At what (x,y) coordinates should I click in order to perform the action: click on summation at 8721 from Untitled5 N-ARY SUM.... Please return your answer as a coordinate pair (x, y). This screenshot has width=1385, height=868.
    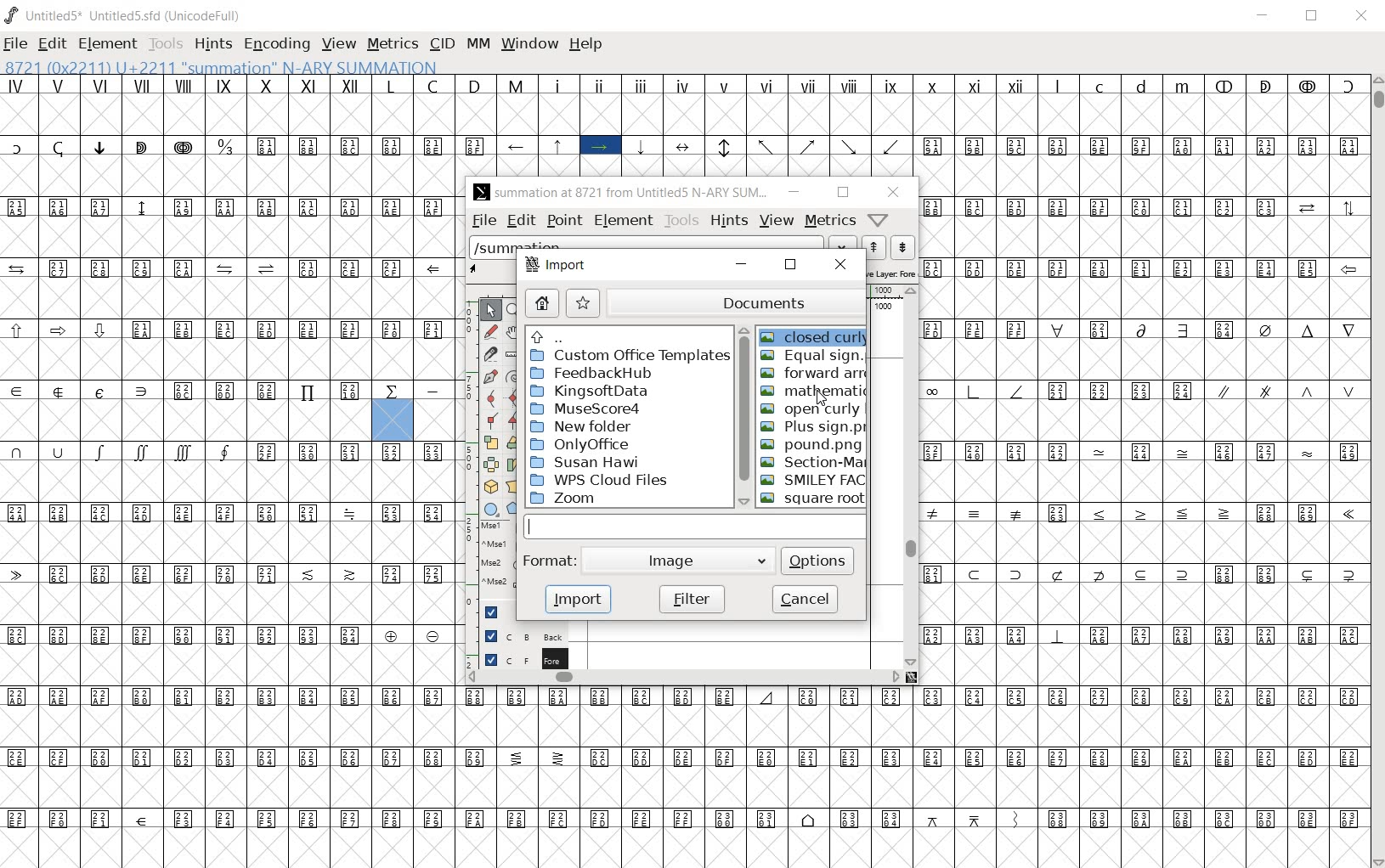
    Looking at the image, I should click on (622, 192).